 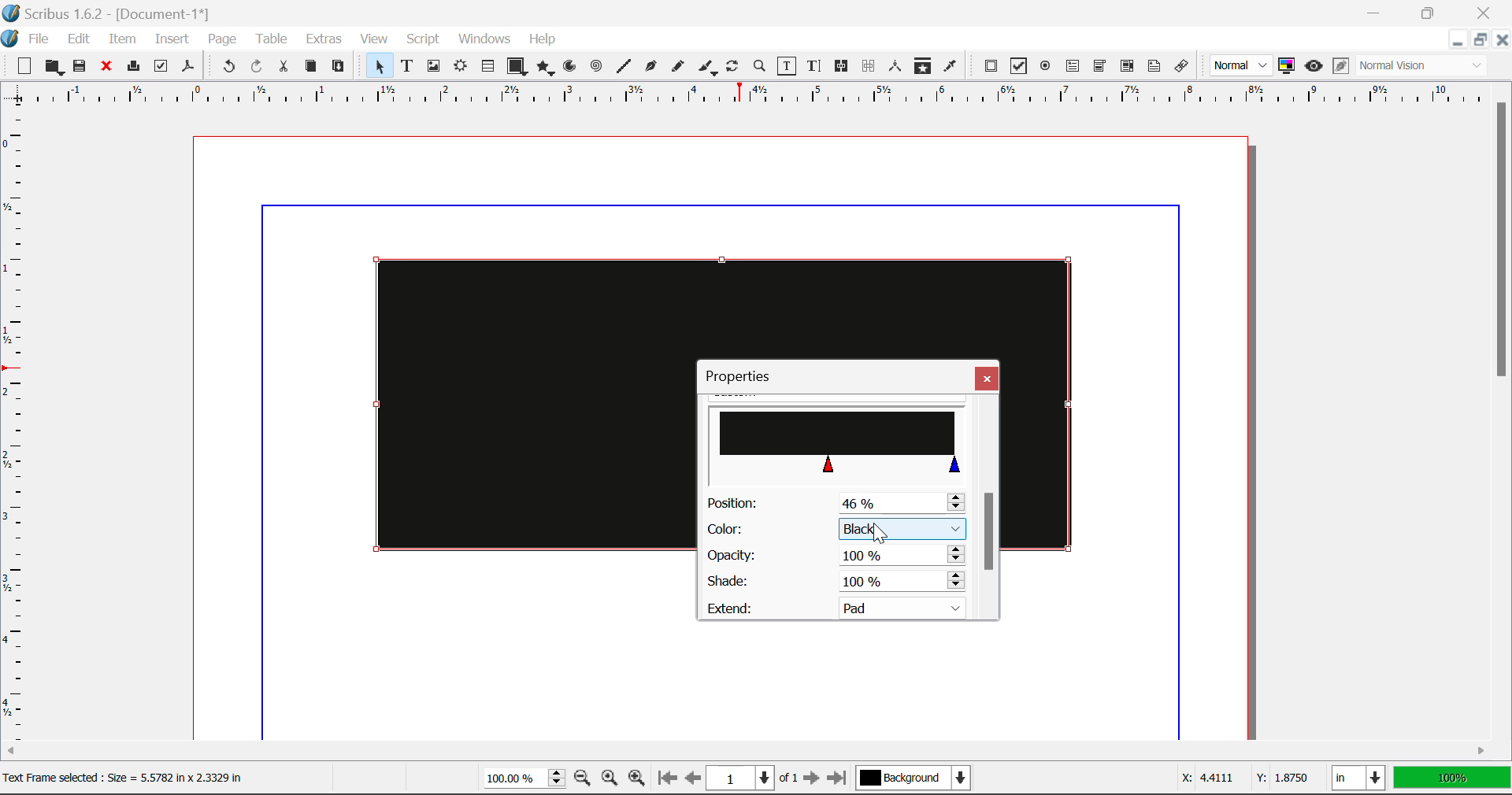 I want to click on Zoom, so click(x=760, y=65).